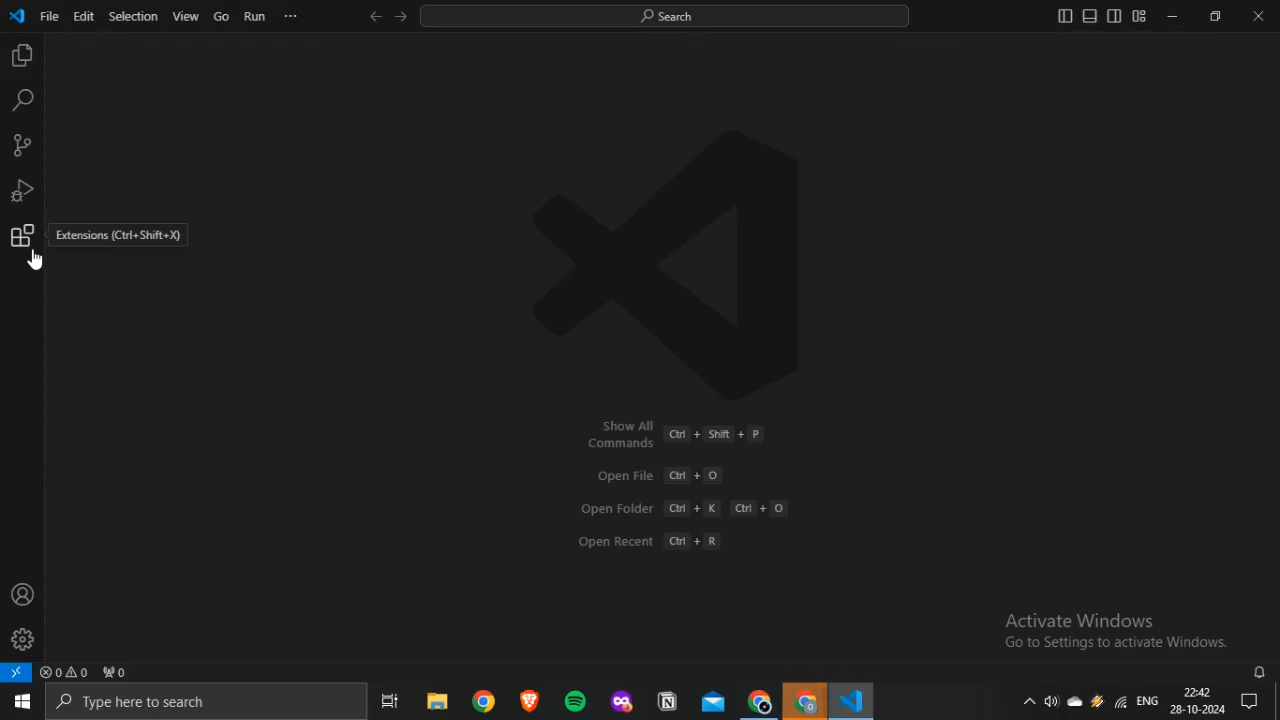 The height and width of the screenshot is (720, 1280). Describe the element at coordinates (82, 16) in the screenshot. I see `Edit` at that location.